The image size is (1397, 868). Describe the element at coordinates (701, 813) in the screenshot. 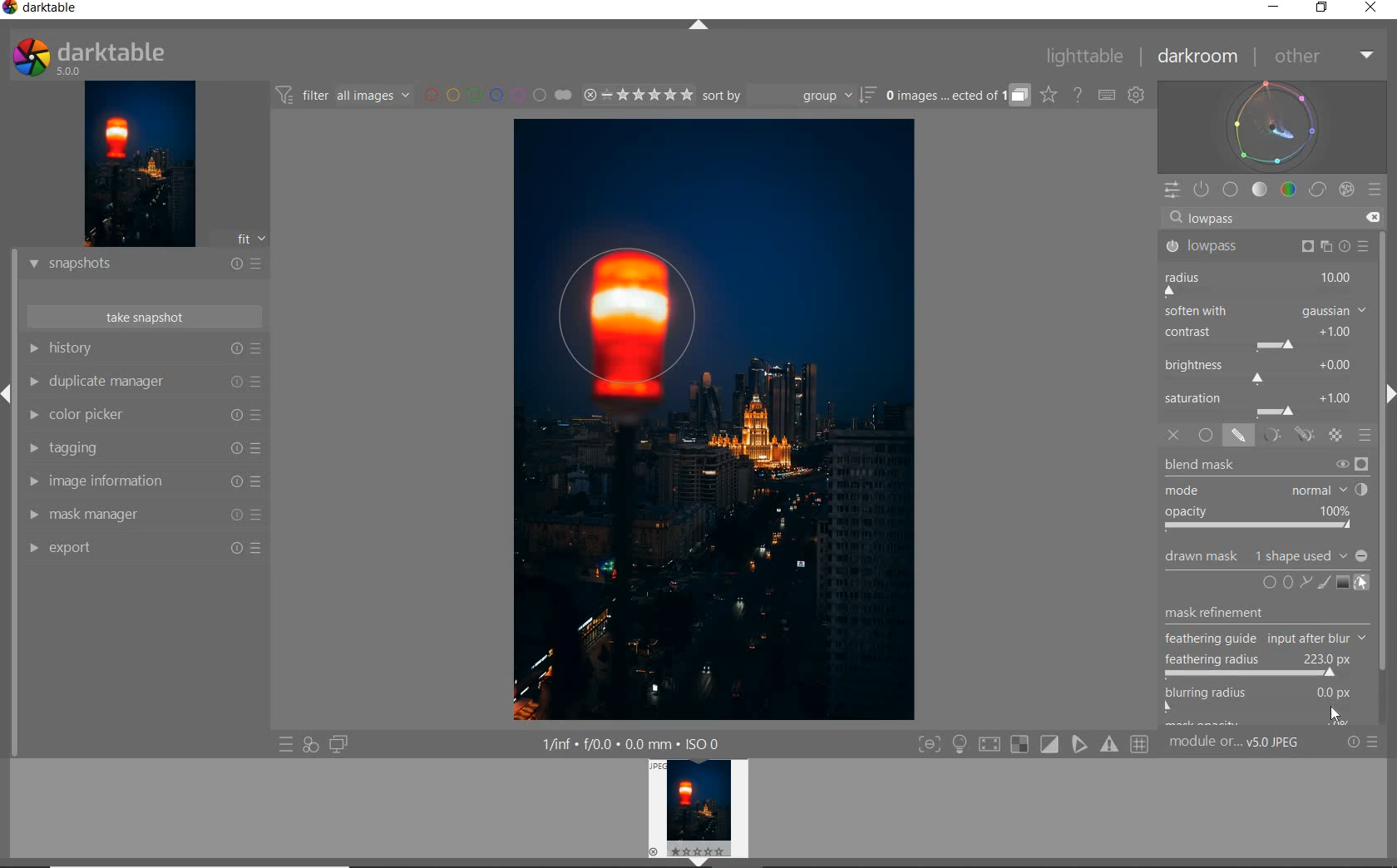

I see `IMAGE PREVIEW` at that location.